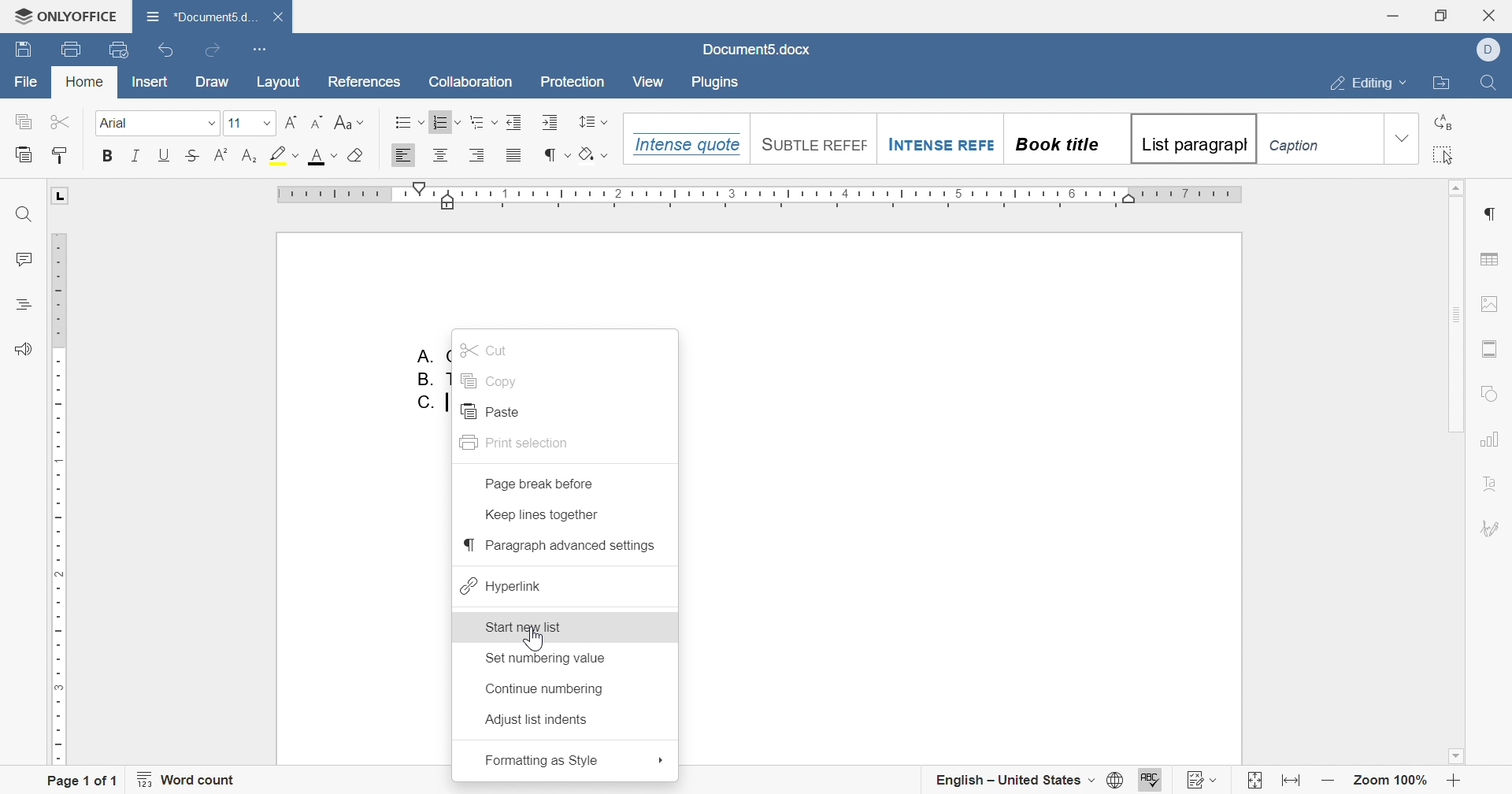 This screenshot has height=794, width=1512. Describe the element at coordinates (165, 50) in the screenshot. I see `undo` at that location.